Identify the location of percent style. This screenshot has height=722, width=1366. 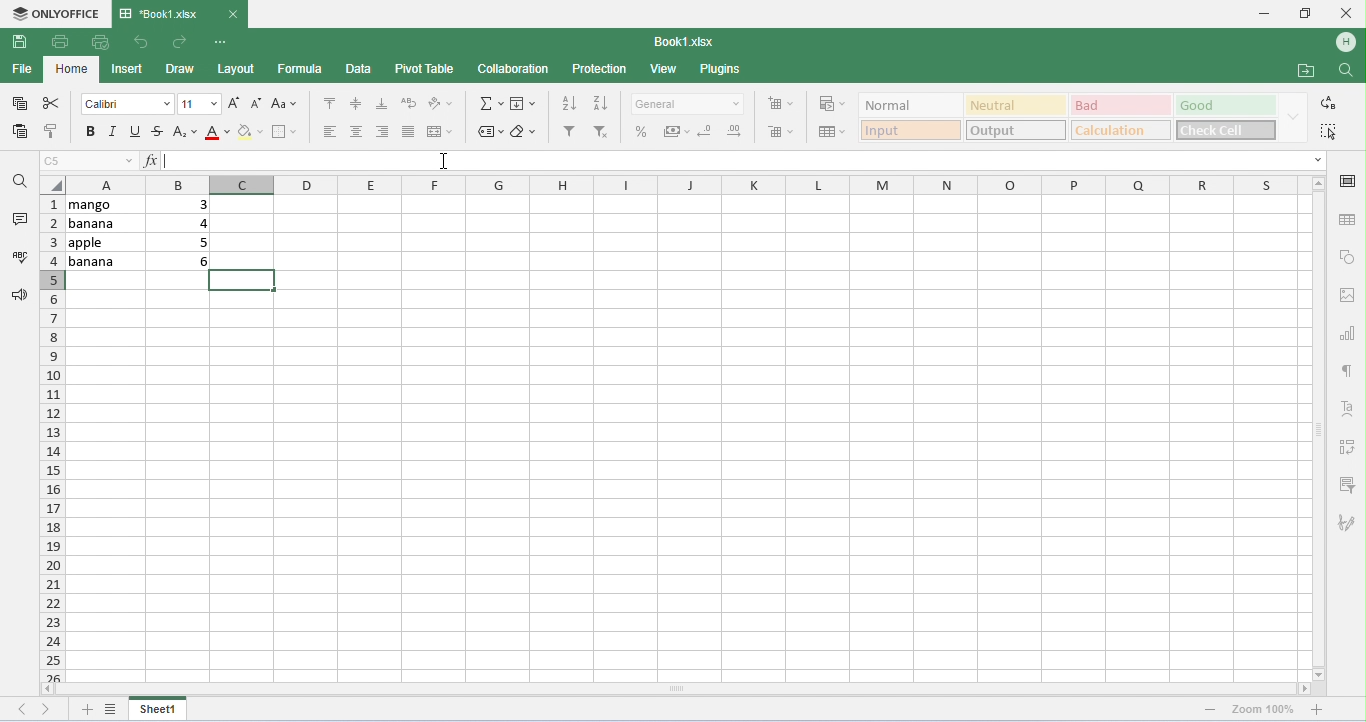
(643, 132).